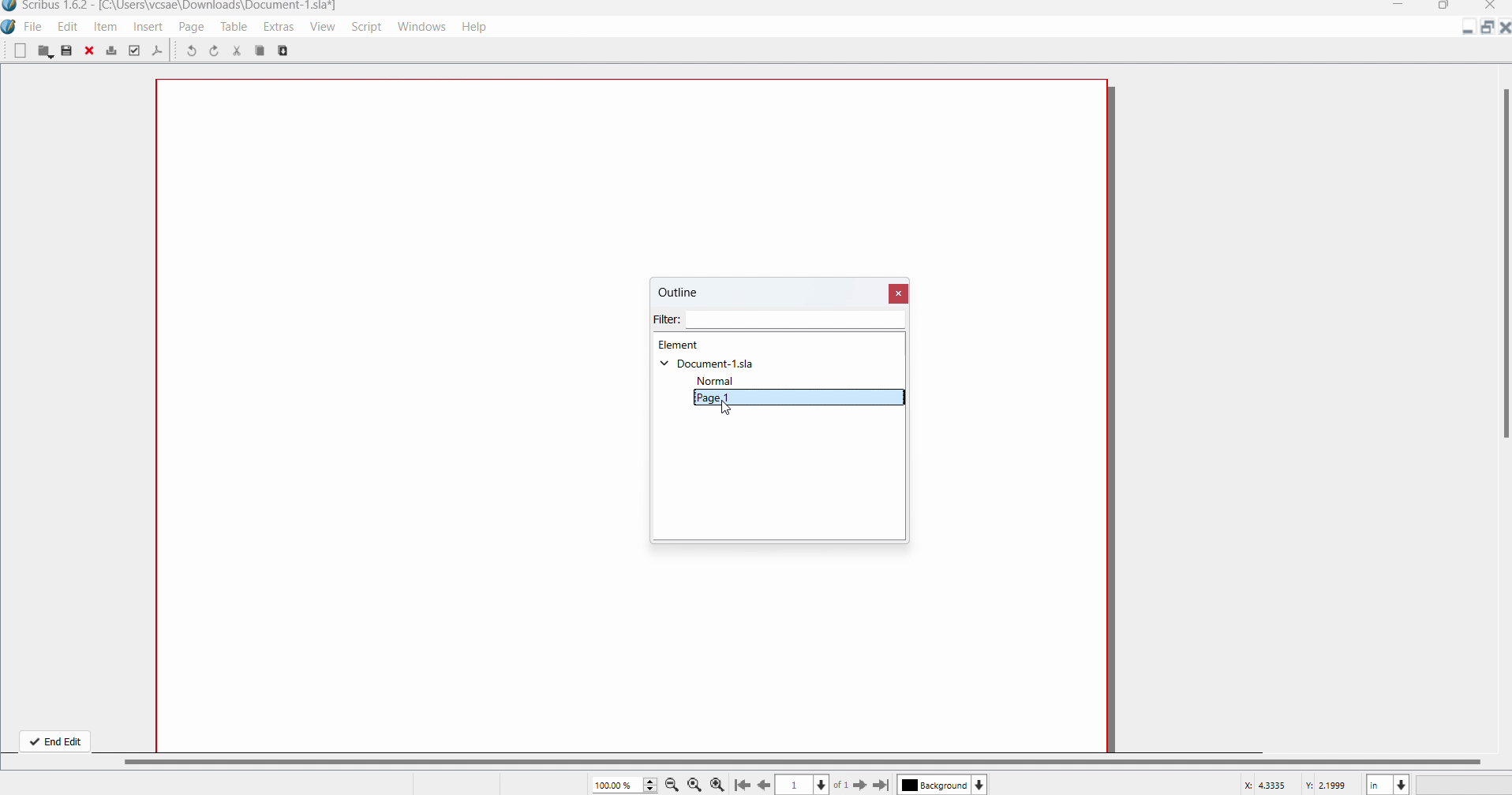 The image size is (1512, 795). What do you see at coordinates (1503, 255) in the screenshot?
I see `vertical scroll bar` at bounding box center [1503, 255].